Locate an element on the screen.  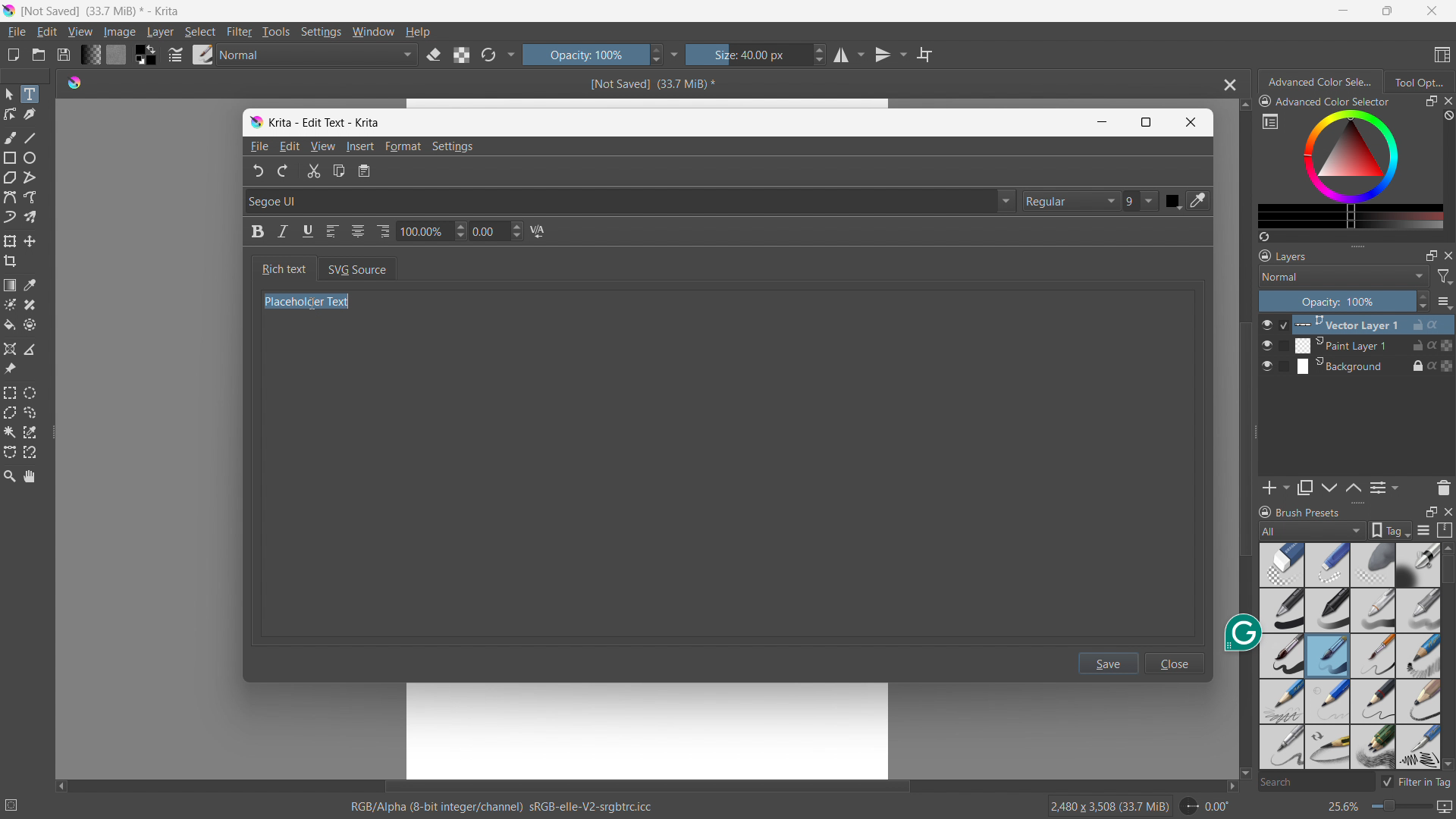
Cut is located at coordinates (312, 172).